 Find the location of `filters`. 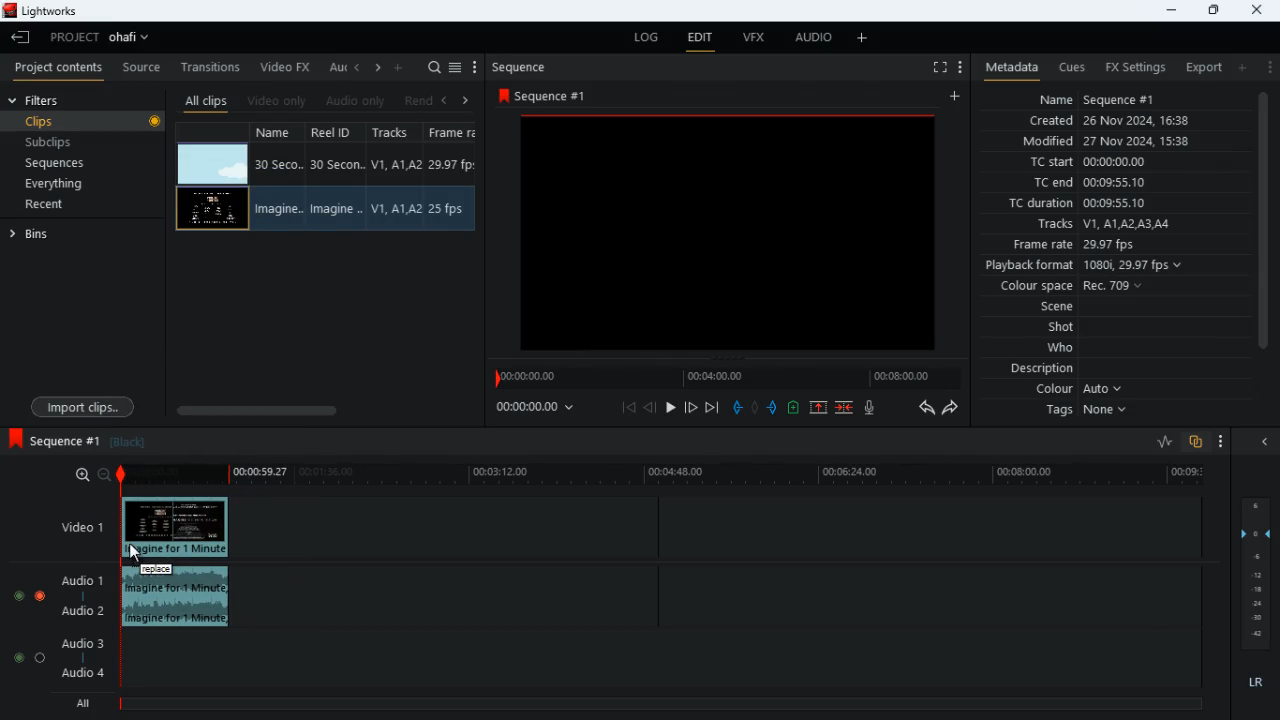

filters is located at coordinates (51, 99).